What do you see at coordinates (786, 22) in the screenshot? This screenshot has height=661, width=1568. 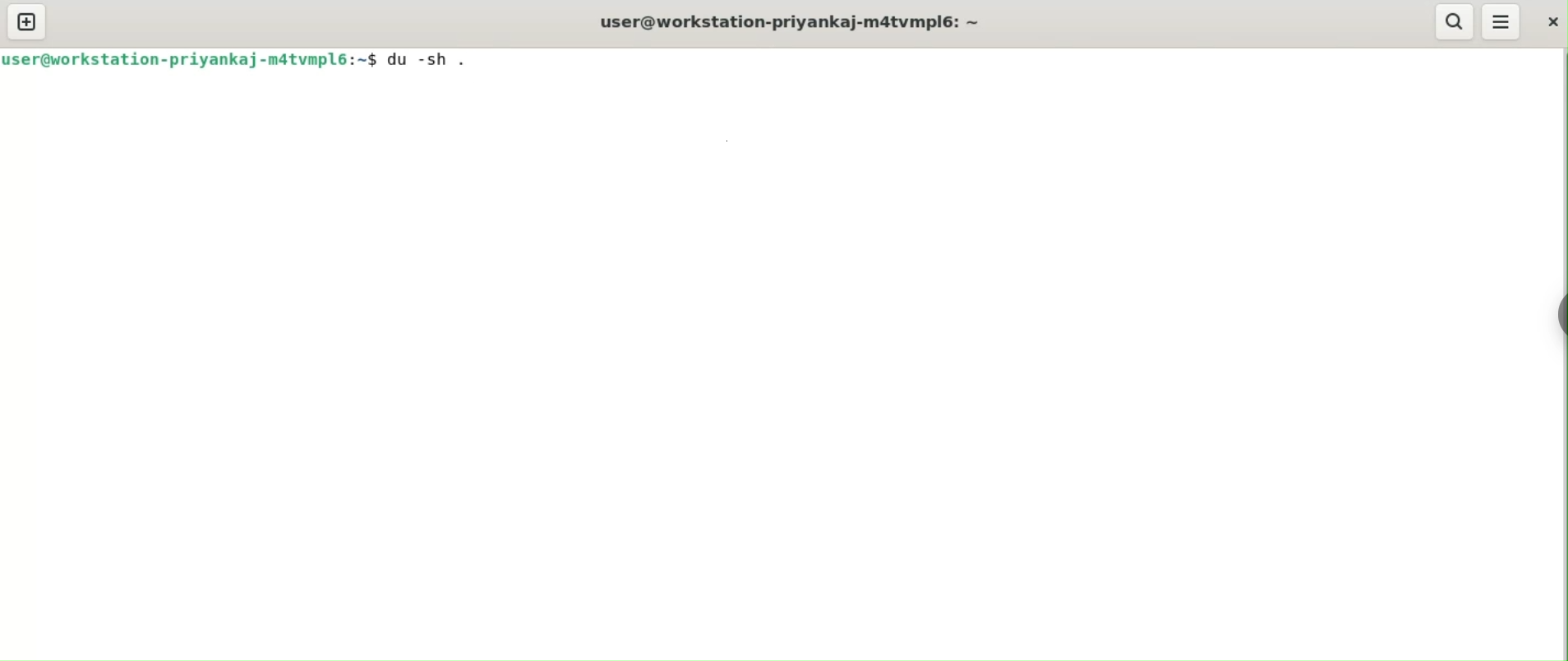 I see `user@workstation-priyankaj-m4tvmlp6:~` at bounding box center [786, 22].